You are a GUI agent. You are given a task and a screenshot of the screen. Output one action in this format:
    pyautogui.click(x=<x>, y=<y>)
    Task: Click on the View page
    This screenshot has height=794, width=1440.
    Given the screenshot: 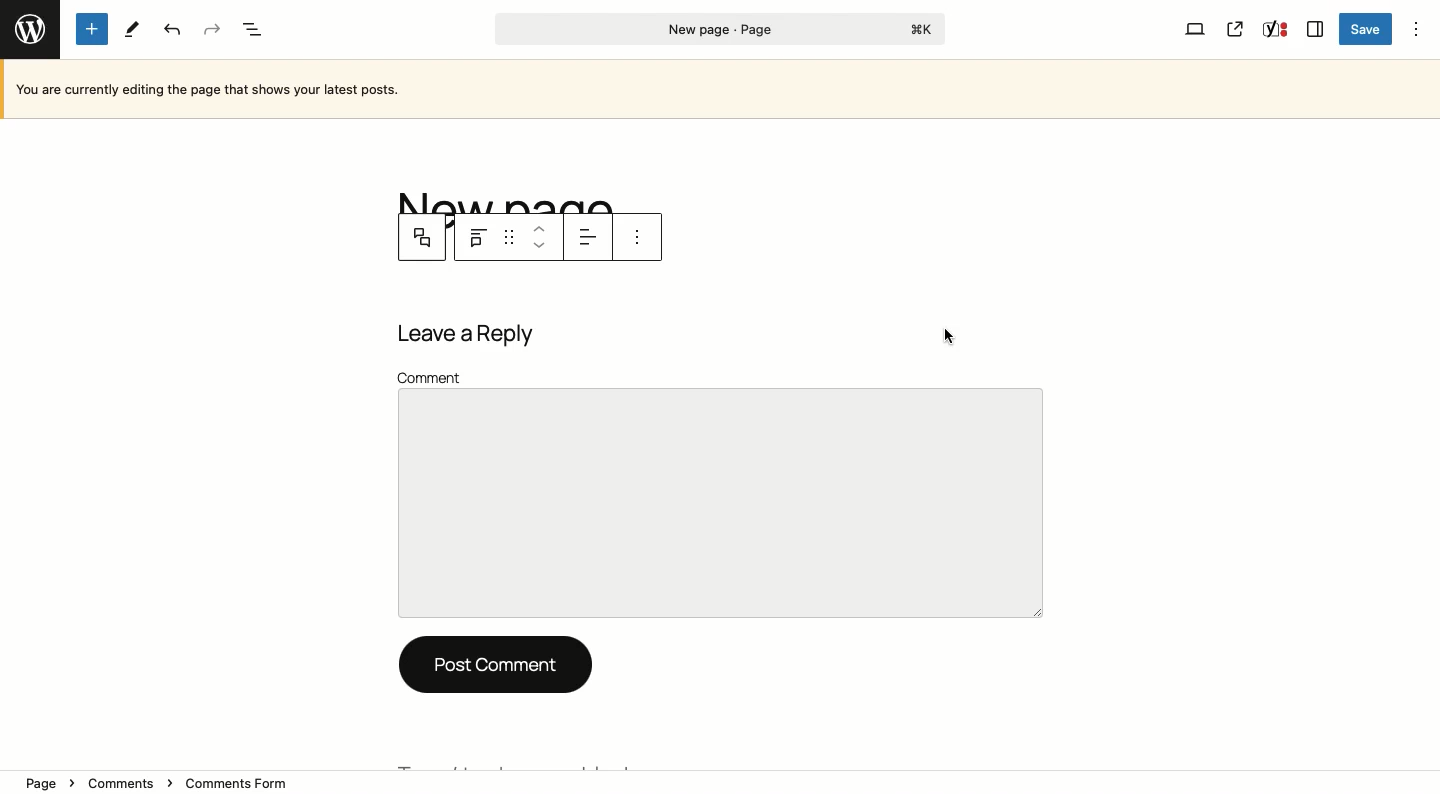 What is the action you would take?
    pyautogui.click(x=1236, y=28)
    